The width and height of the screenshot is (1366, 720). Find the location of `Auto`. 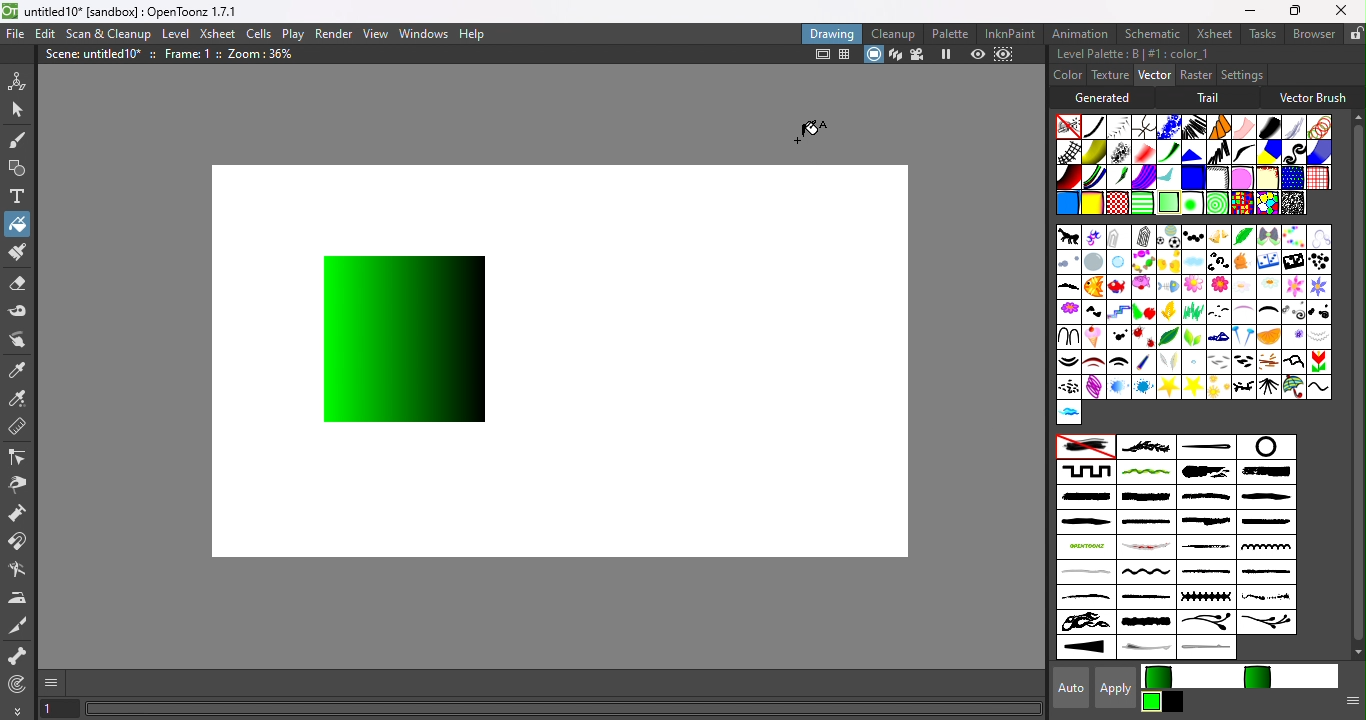

Auto is located at coordinates (1065, 688).